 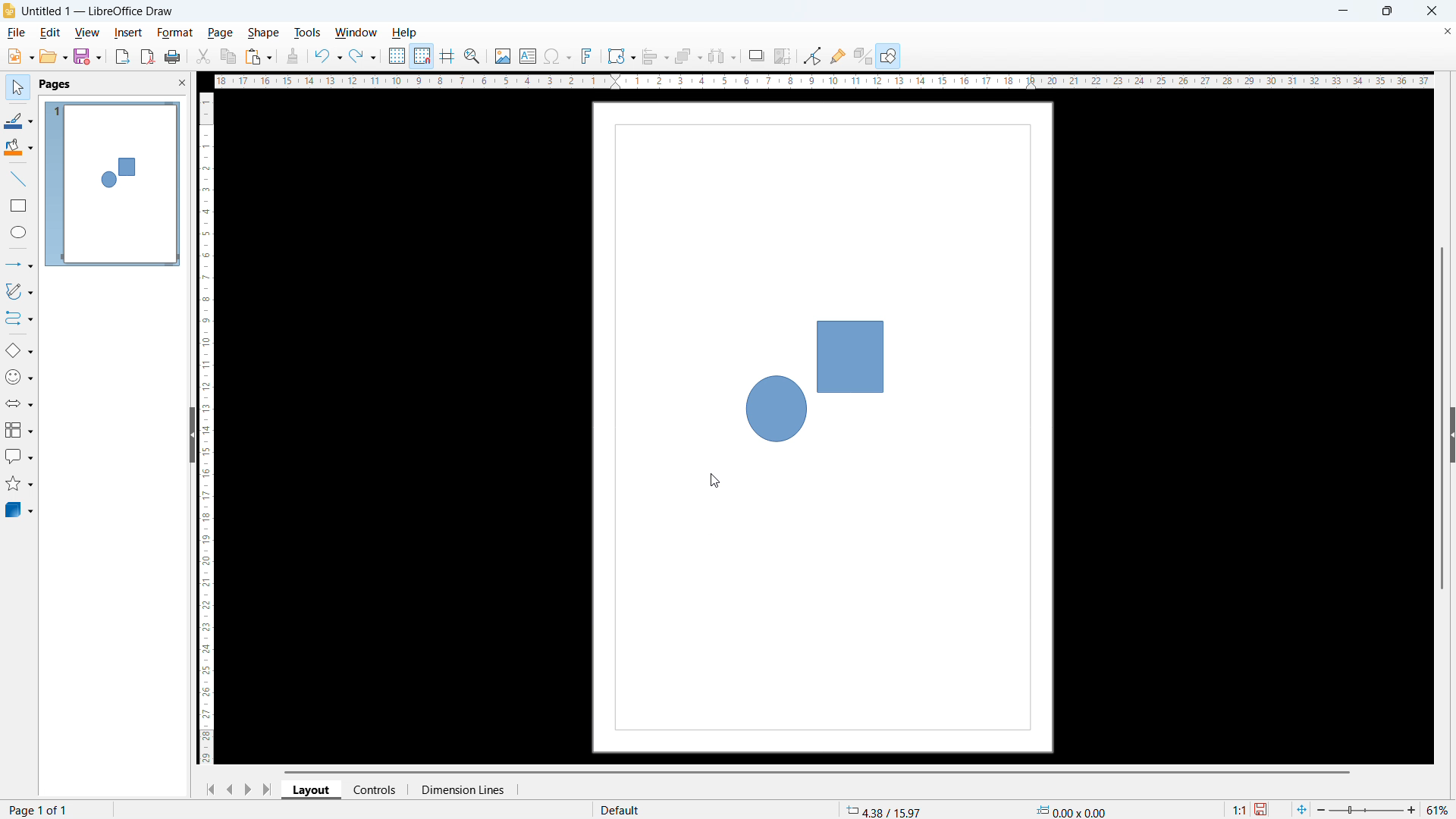 What do you see at coordinates (1301, 809) in the screenshot?
I see `fit to page` at bounding box center [1301, 809].